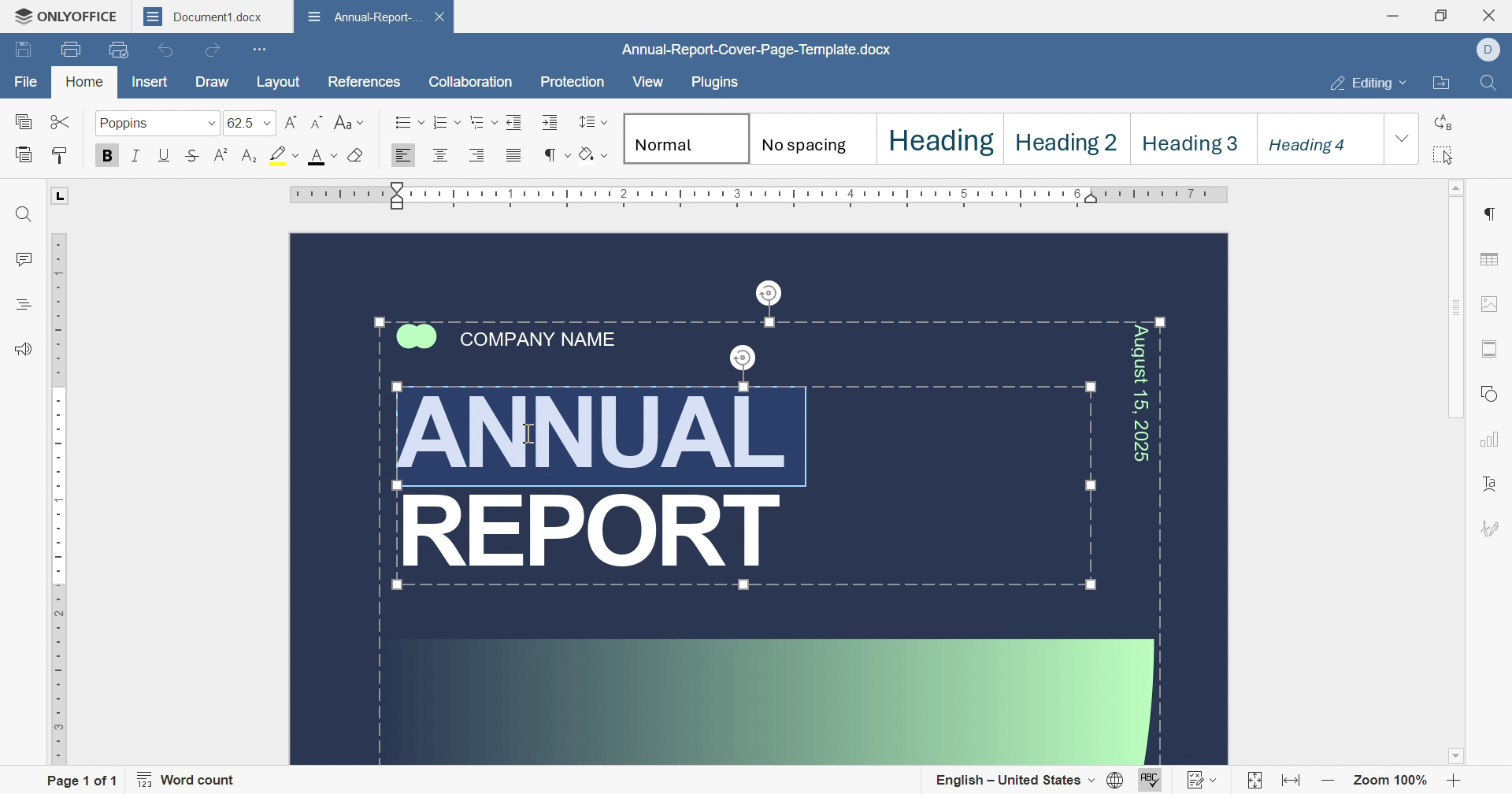 The width and height of the screenshot is (1512, 794). Describe the element at coordinates (83, 83) in the screenshot. I see `home` at that location.